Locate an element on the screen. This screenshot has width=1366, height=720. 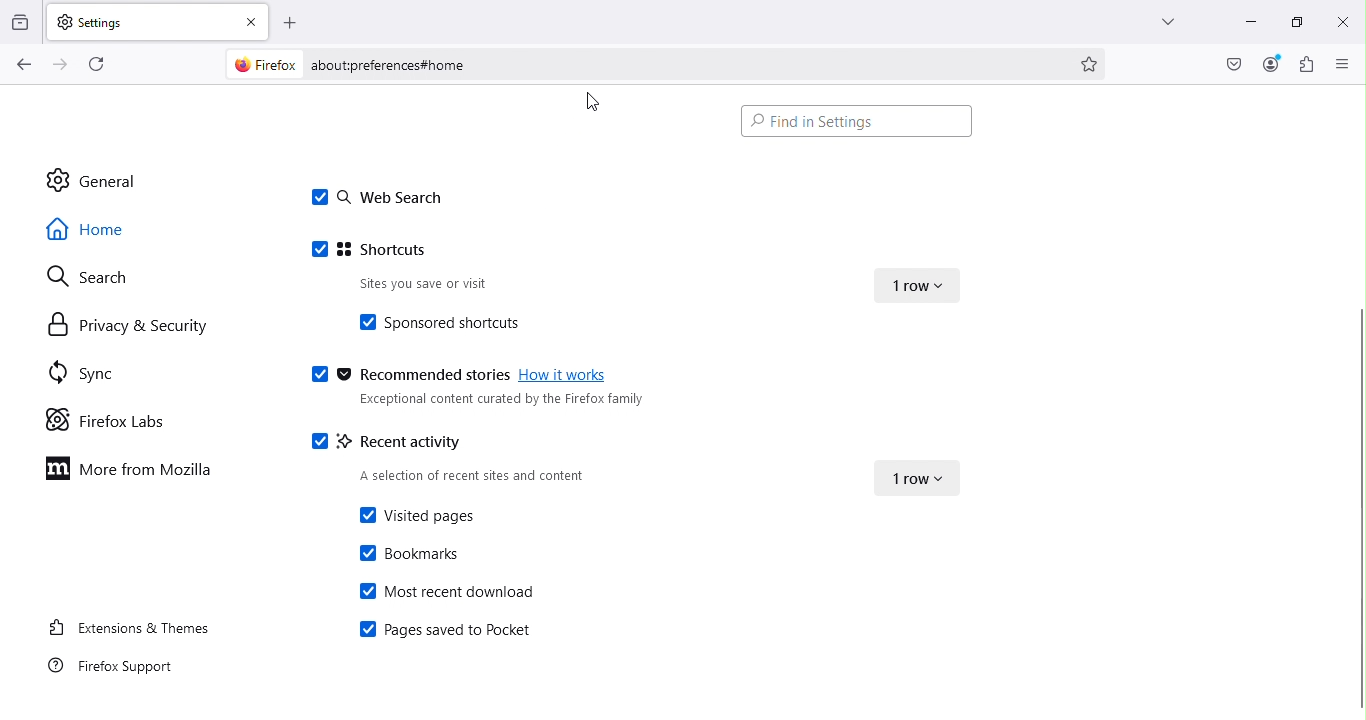
Close is located at coordinates (1340, 19).